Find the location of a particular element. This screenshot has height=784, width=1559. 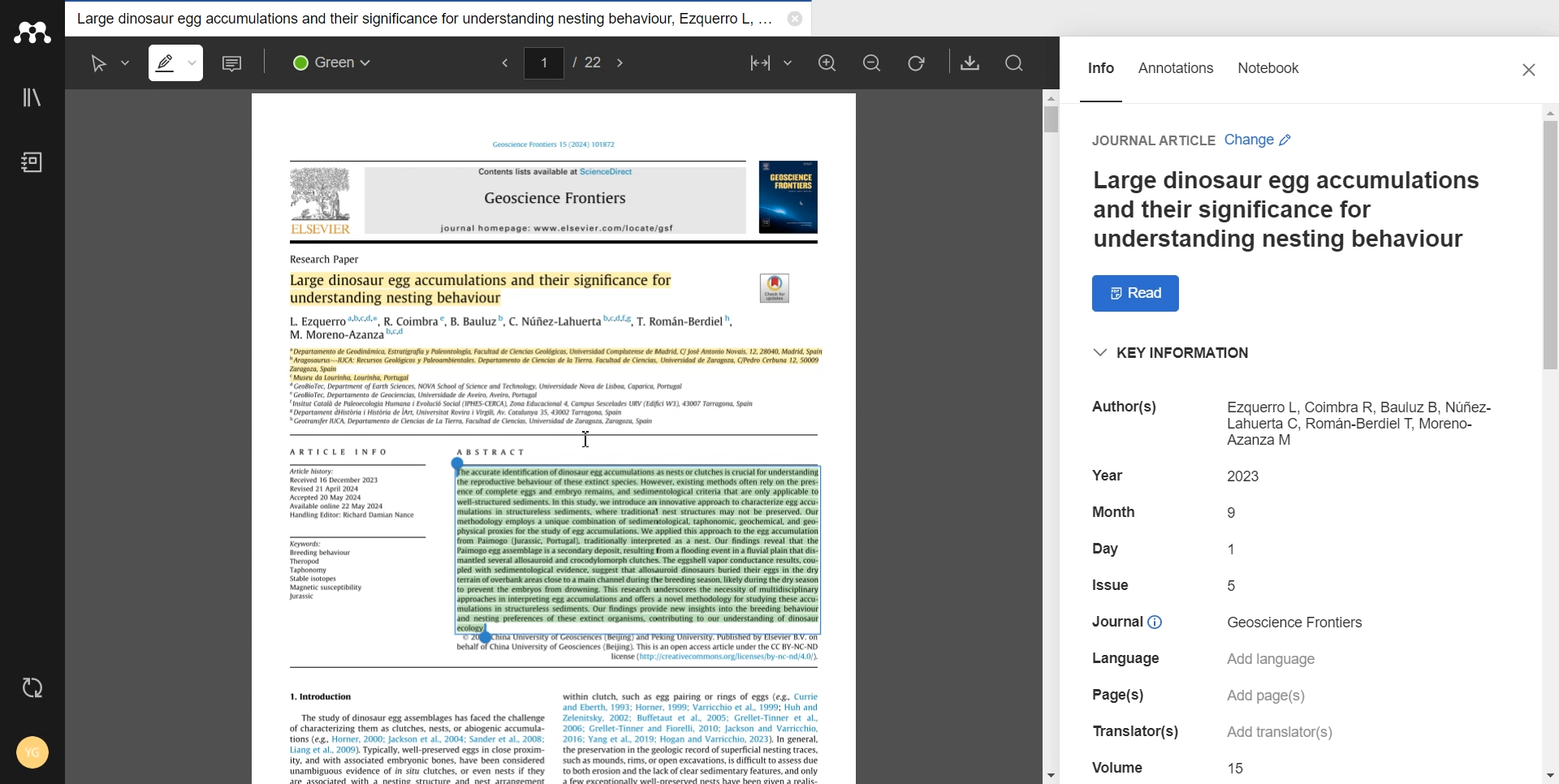

Library is located at coordinates (32, 98).